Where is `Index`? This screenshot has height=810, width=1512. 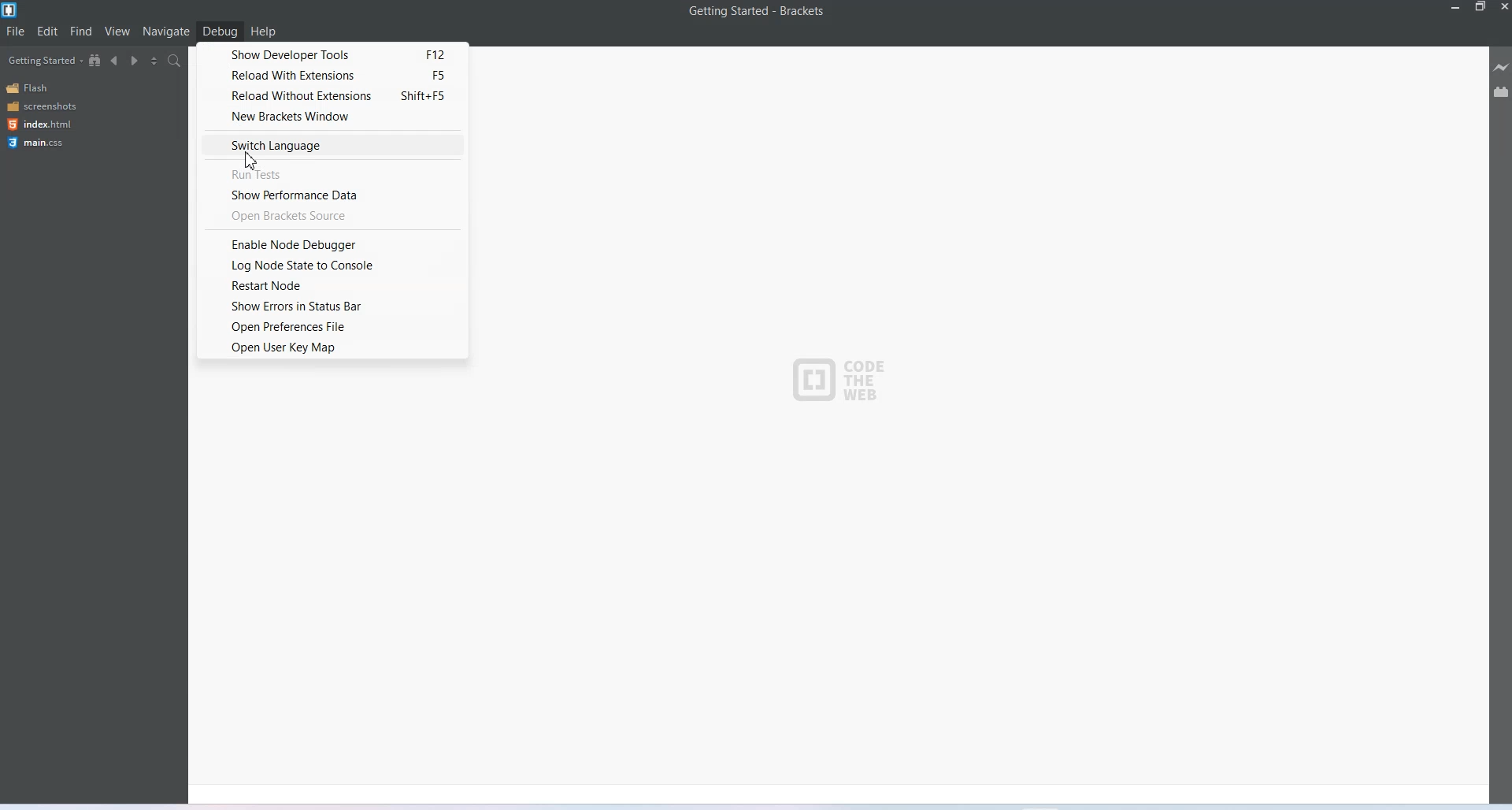 Index is located at coordinates (38, 124).